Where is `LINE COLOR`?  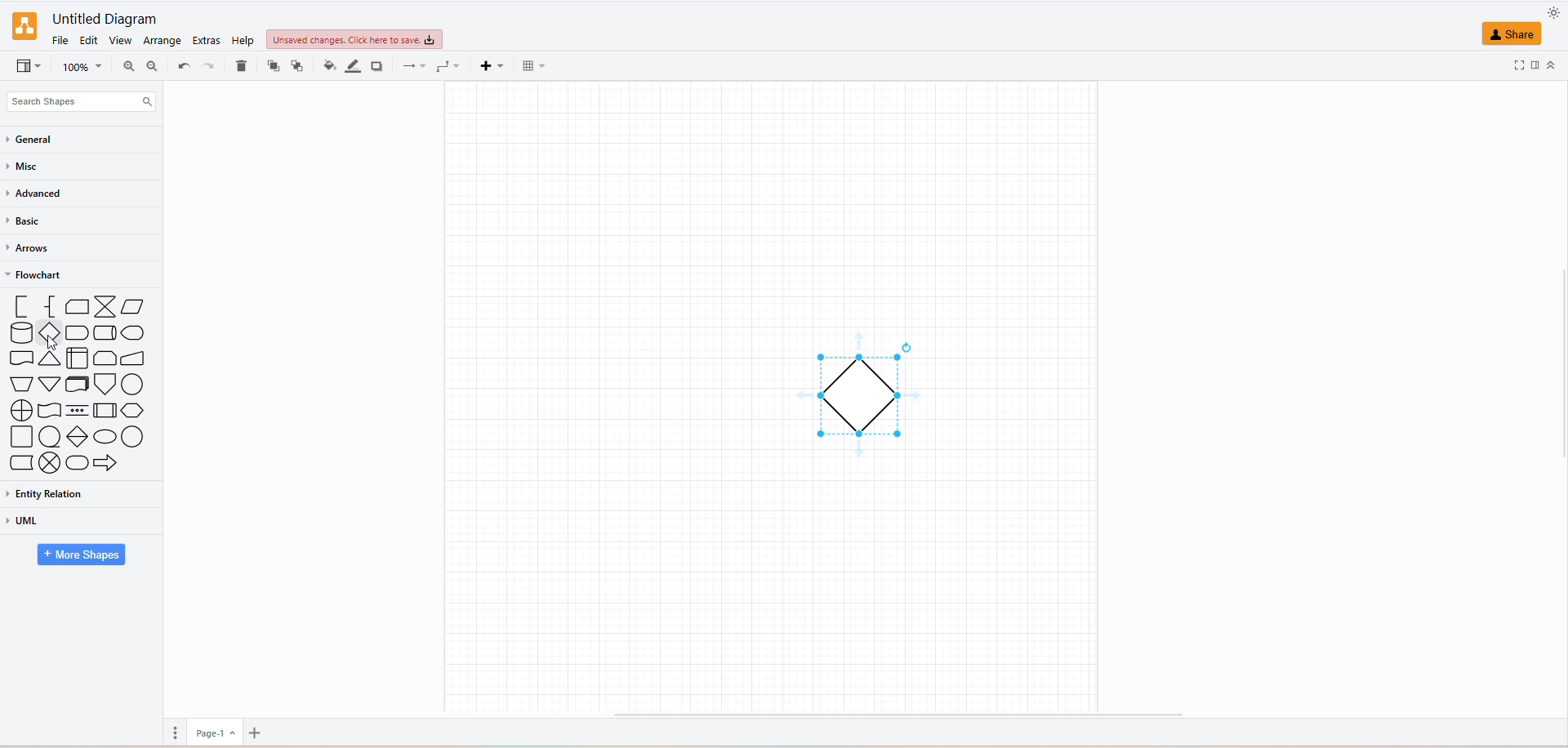
LINE COLOR is located at coordinates (353, 65).